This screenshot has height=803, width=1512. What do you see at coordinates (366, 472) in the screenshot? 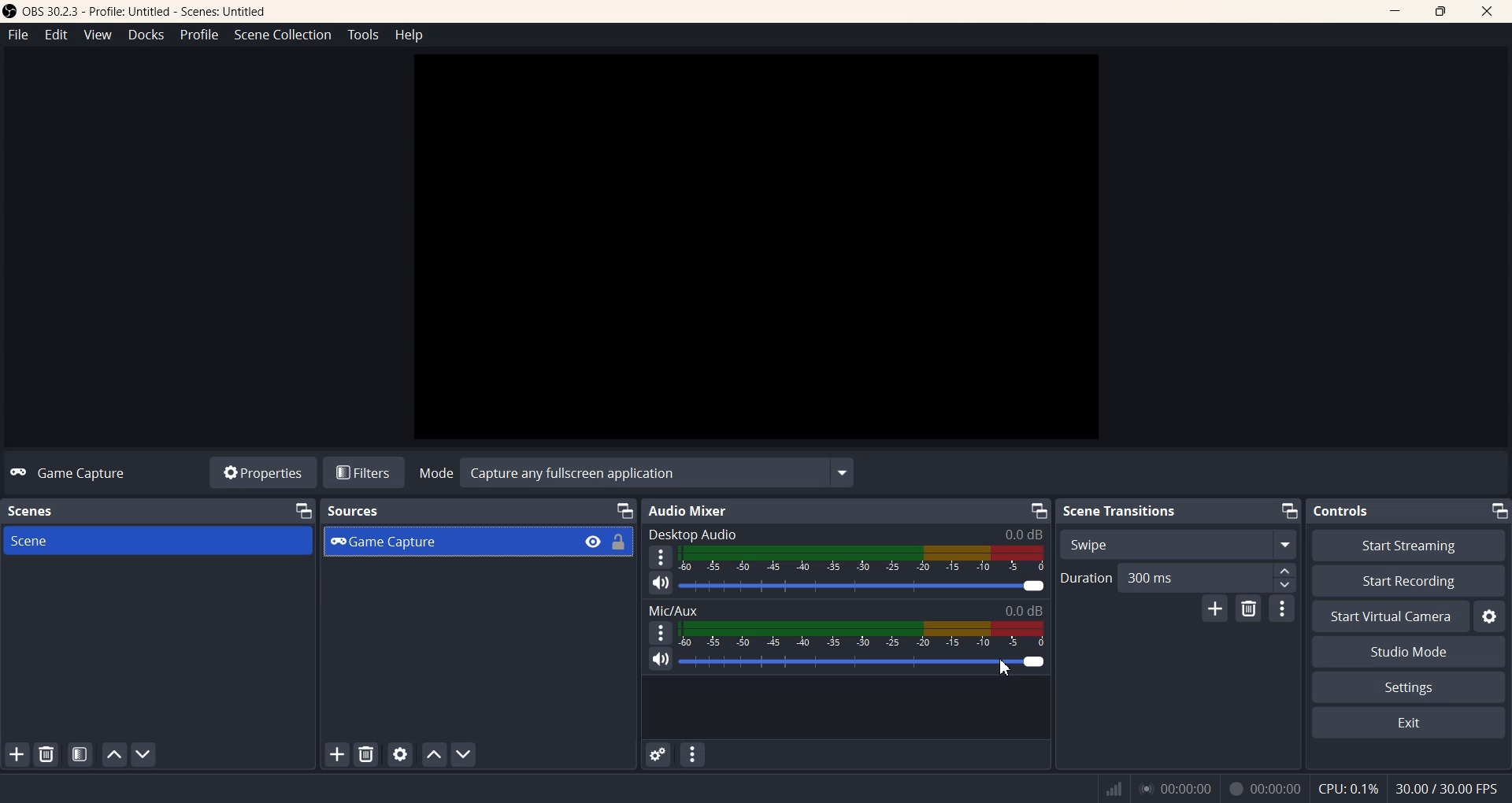
I see `Filters` at bounding box center [366, 472].